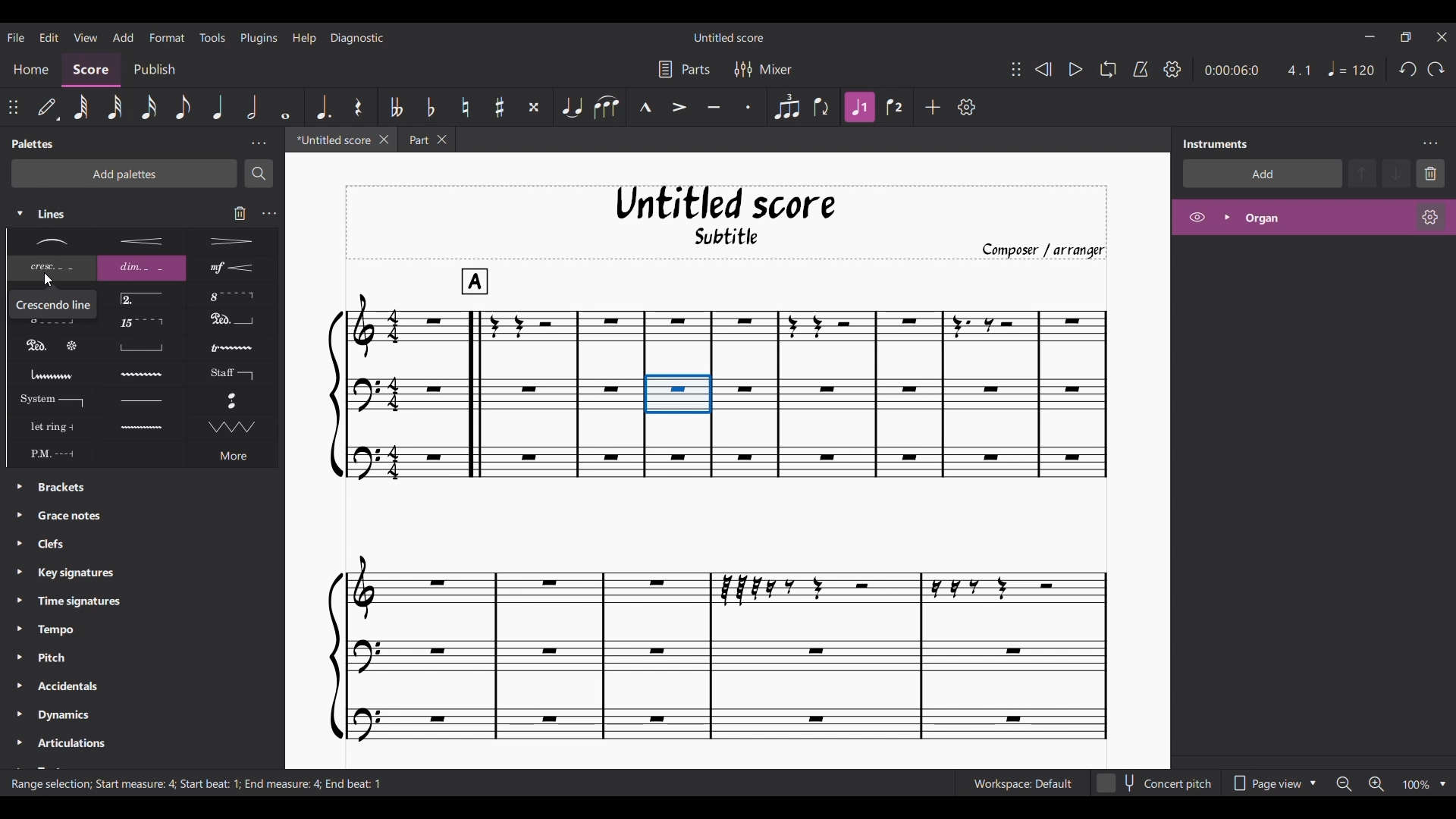 Image resolution: width=1456 pixels, height=819 pixels. I want to click on Current zoom factor, so click(1417, 785).